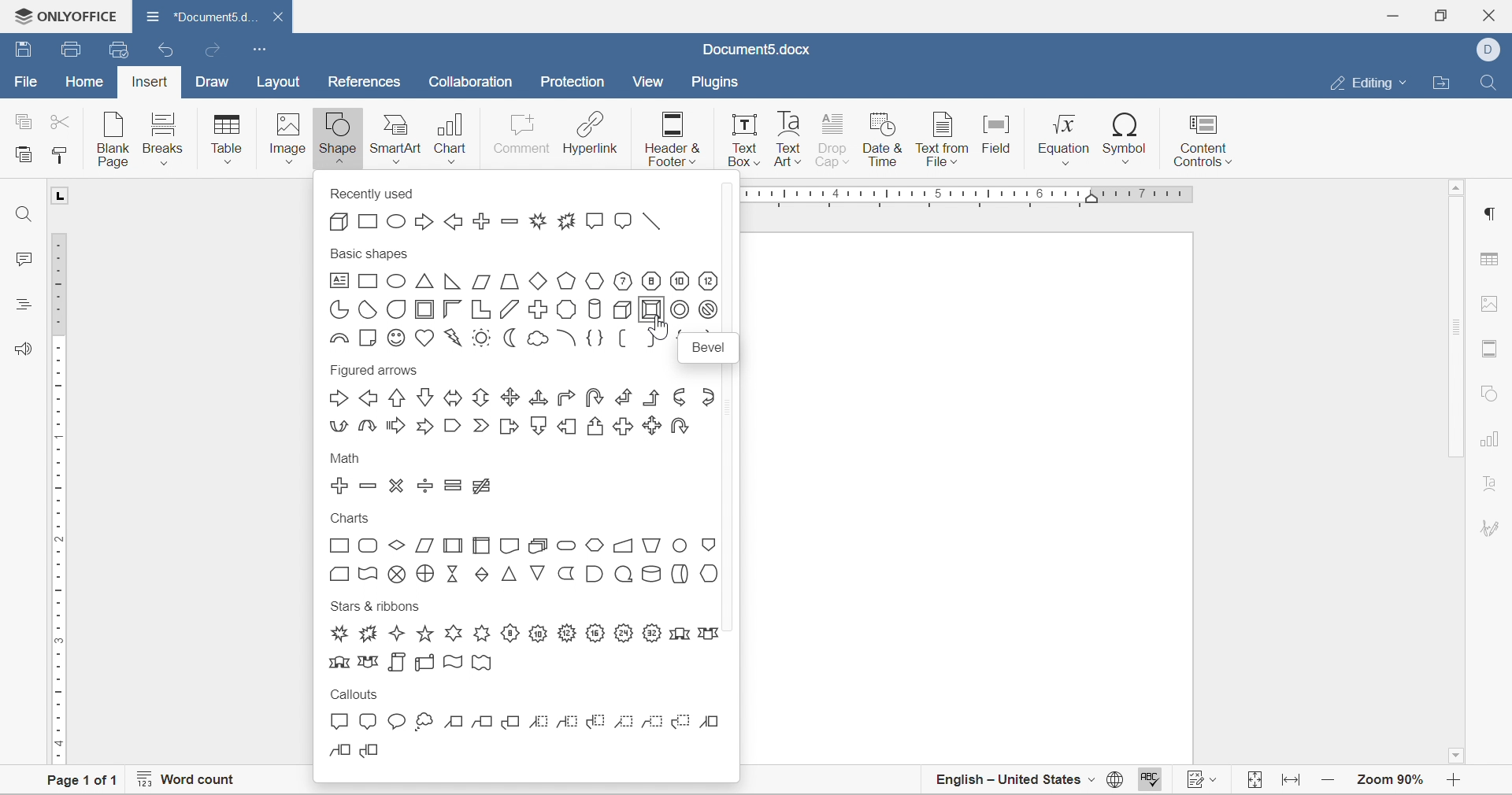 This screenshot has width=1512, height=795. What do you see at coordinates (1493, 439) in the screenshot?
I see `chart settings` at bounding box center [1493, 439].